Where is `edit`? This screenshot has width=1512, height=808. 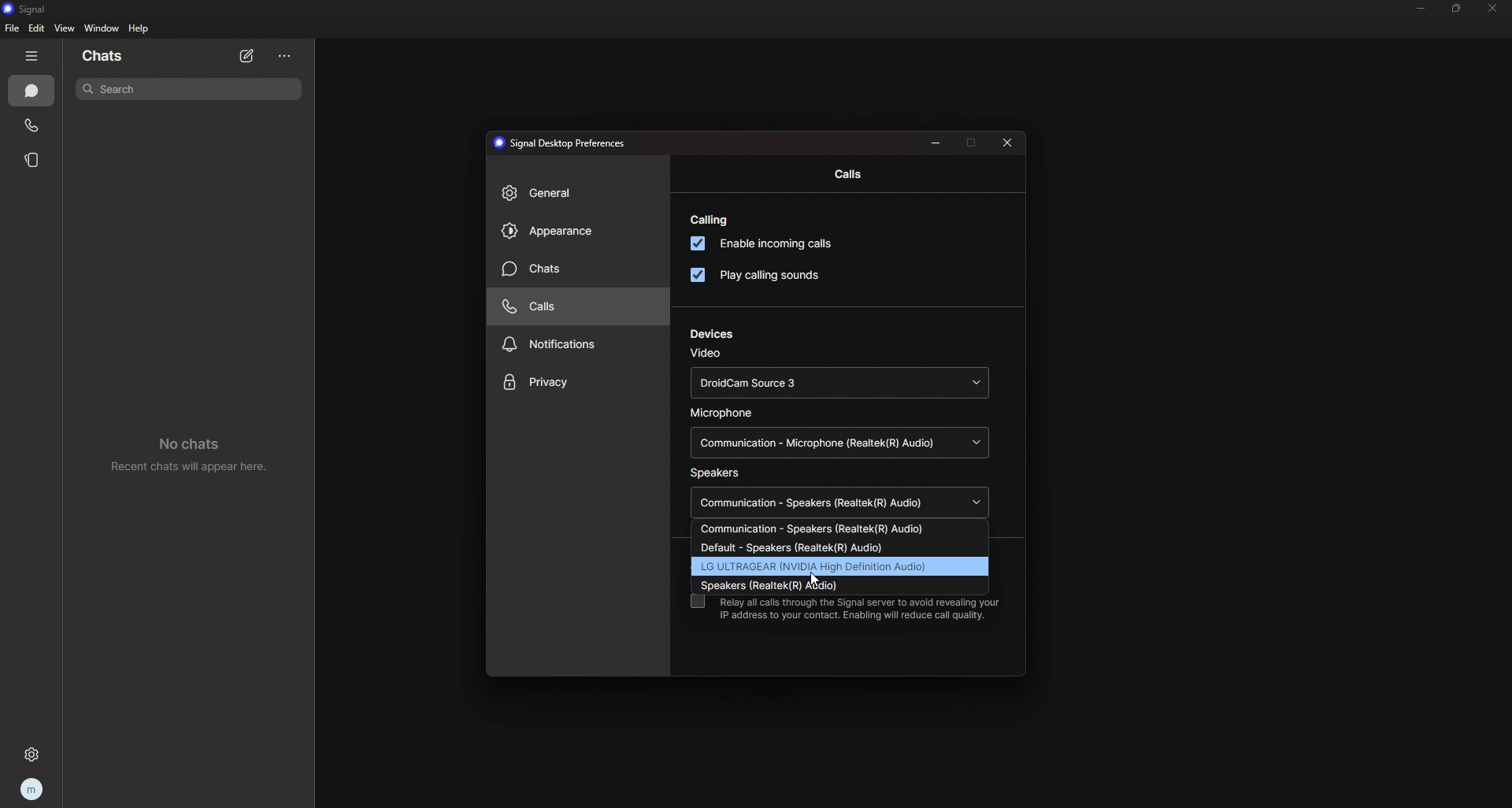
edit is located at coordinates (38, 28).